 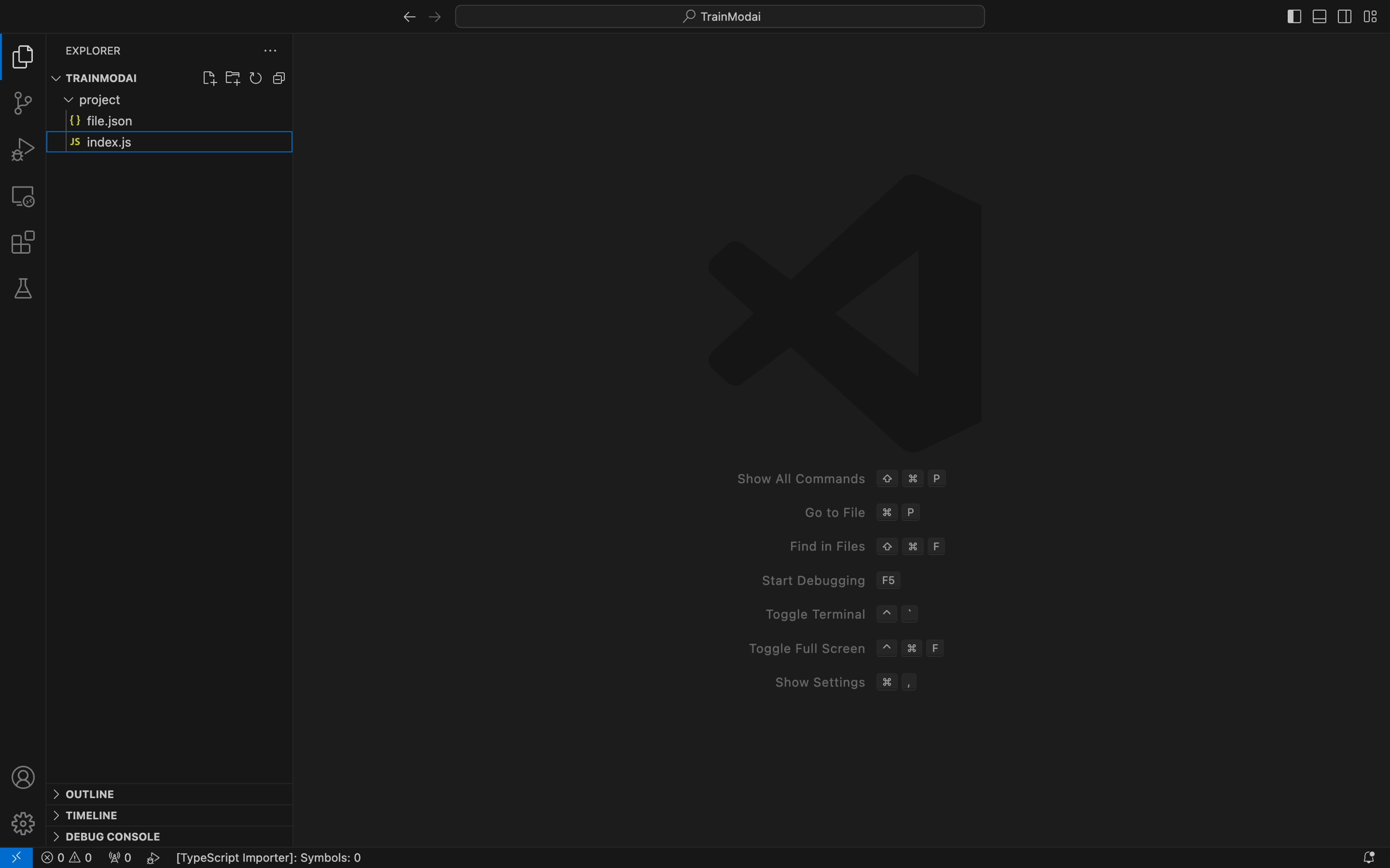 I want to click on Start debugging, so click(x=829, y=581).